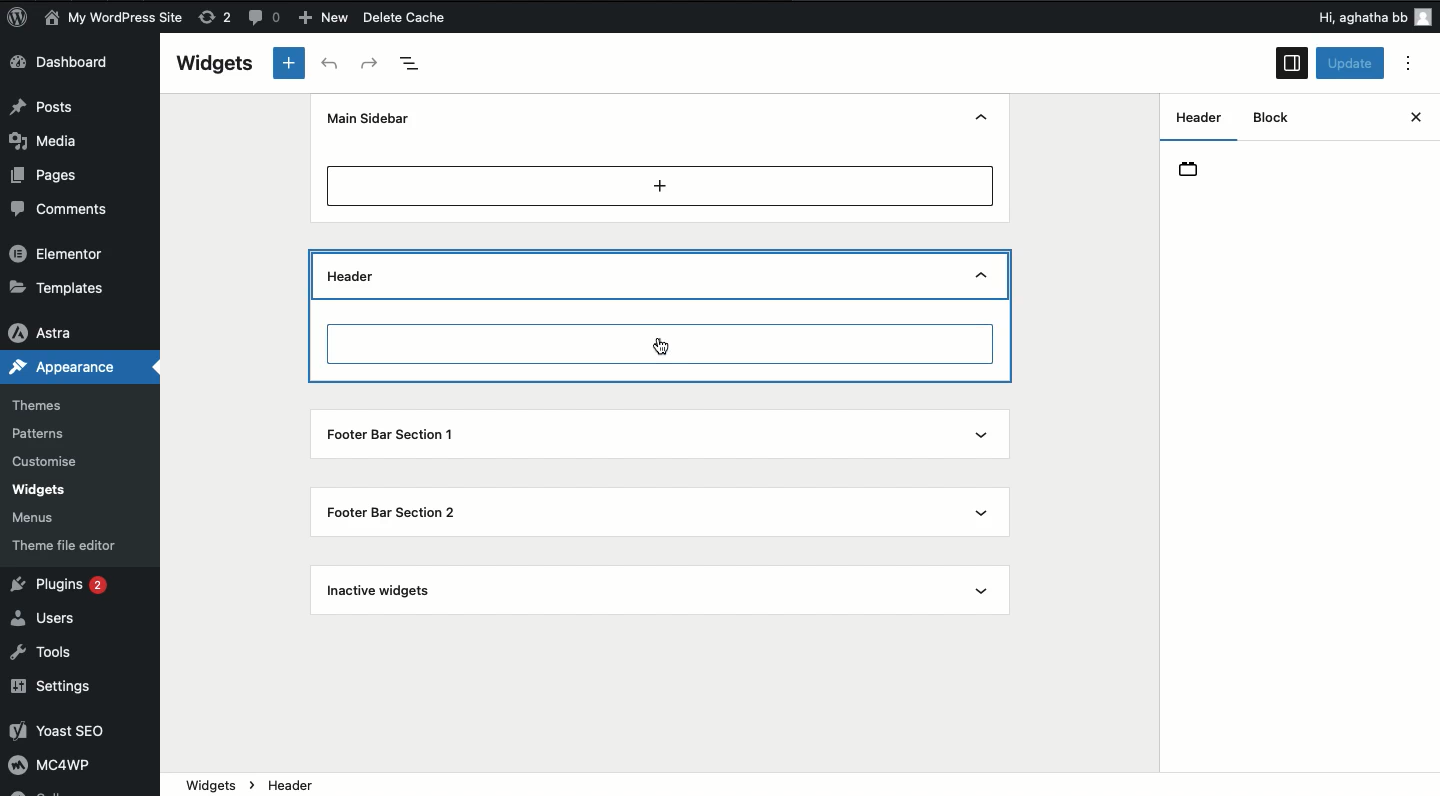 This screenshot has height=796, width=1440. Describe the element at coordinates (326, 18) in the screenshot. I see `New` at that location.